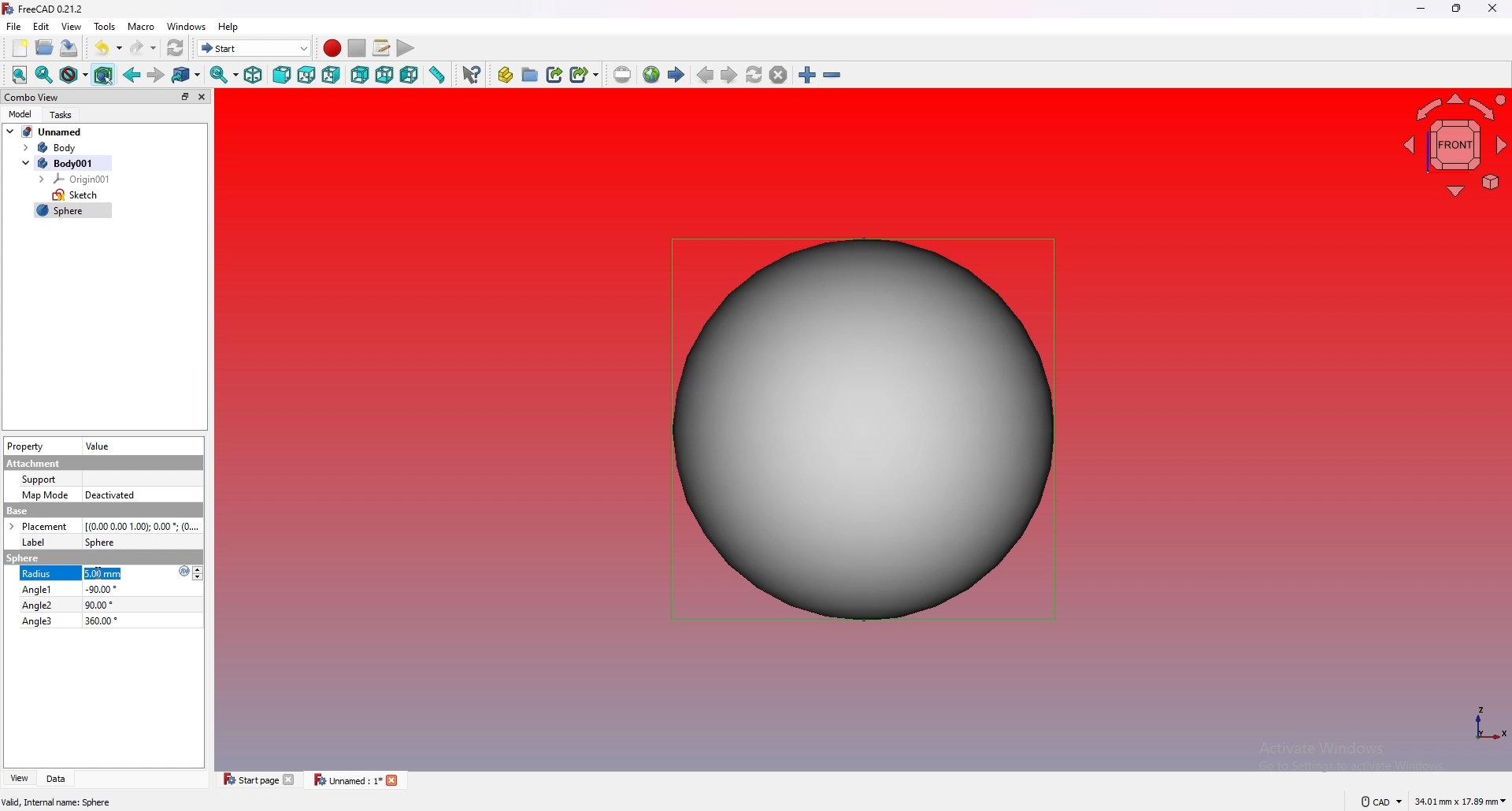 The image size is (1512, 811). What do you see at coordinates (1492, 9) in the screenshot?
I see `close` at bounding box center [1492, 9].